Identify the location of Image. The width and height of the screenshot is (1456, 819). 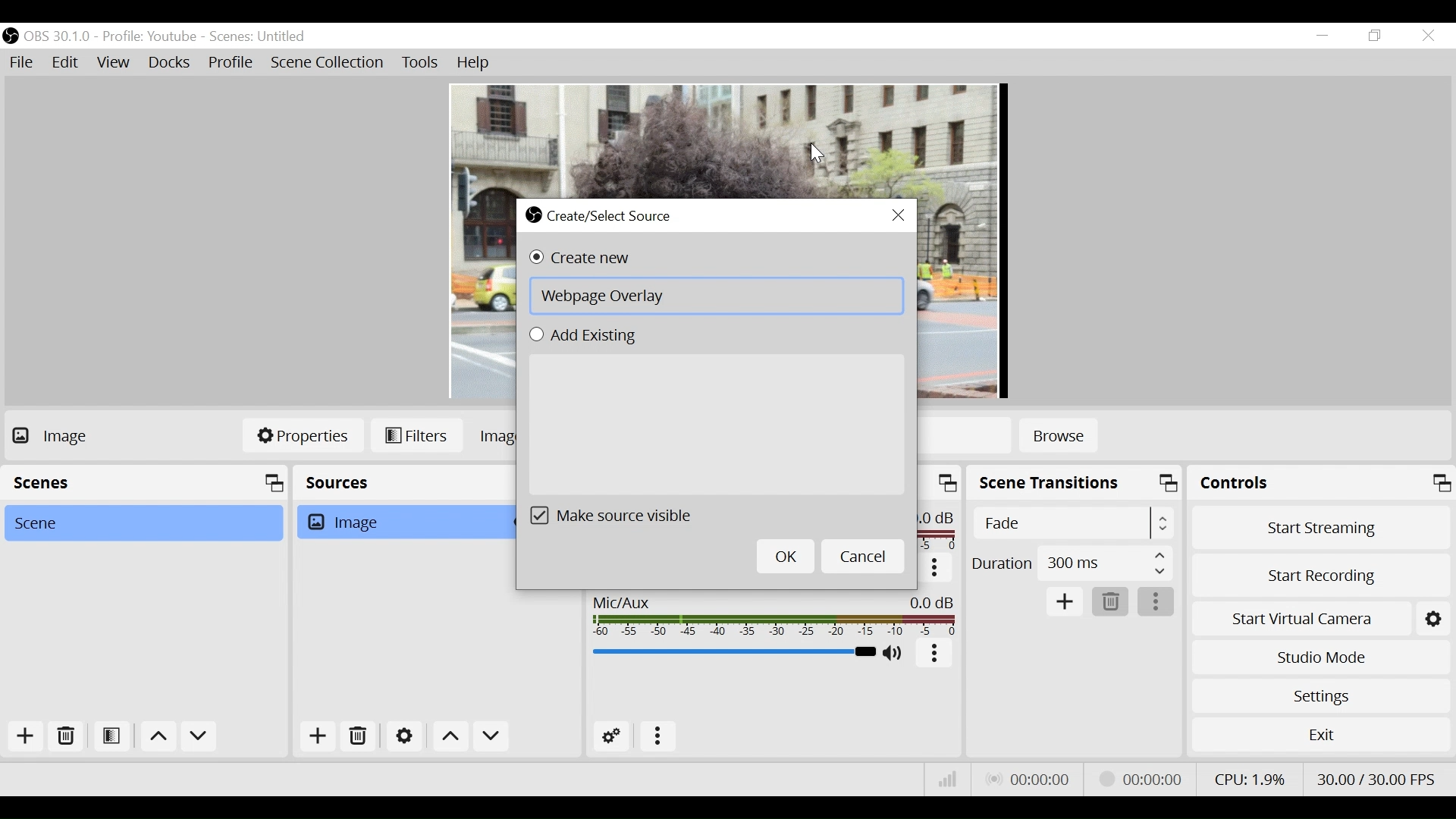
(403, 522).